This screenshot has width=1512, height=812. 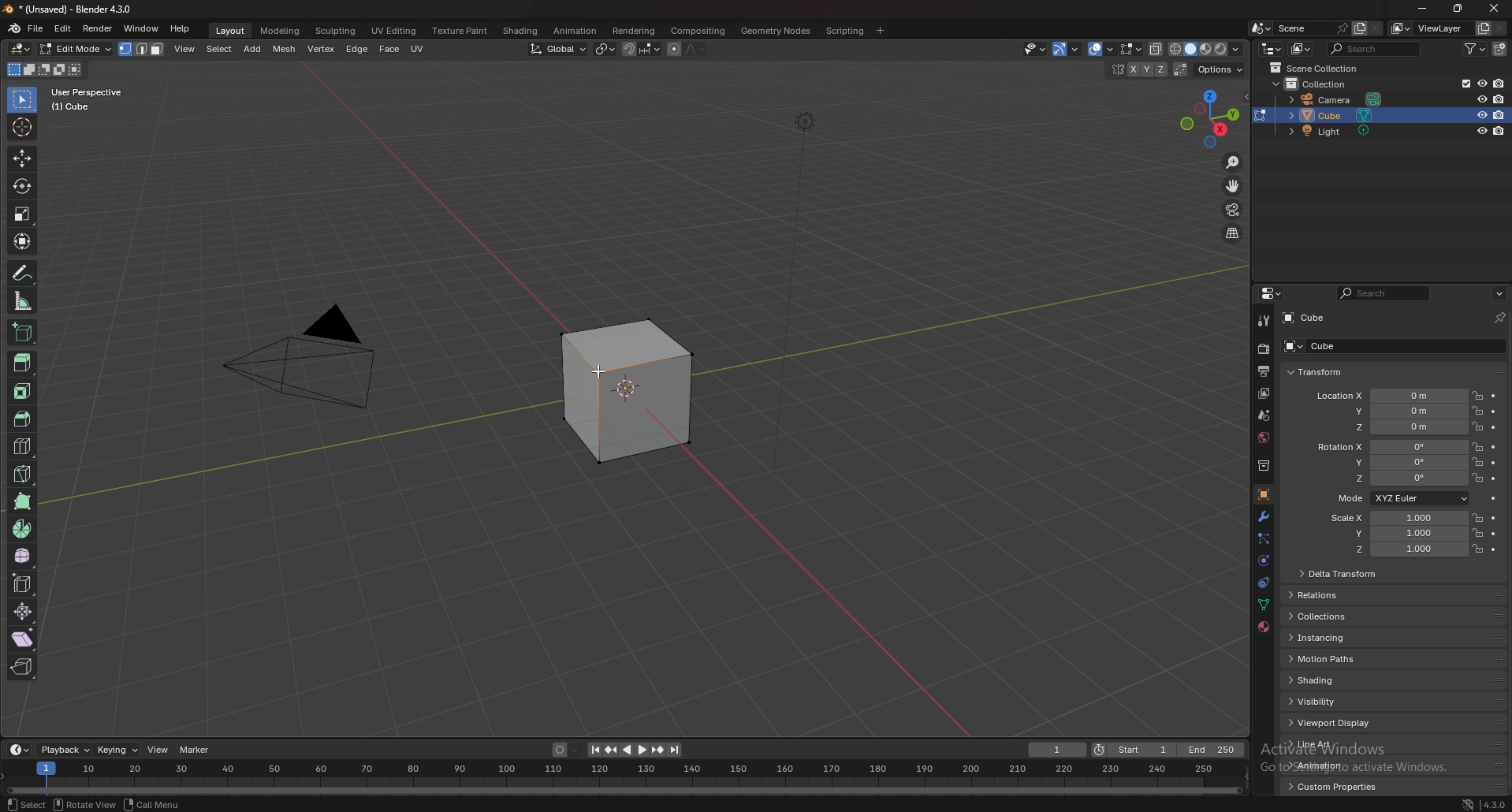 I want to click on edge, so click(x=358, y=49).